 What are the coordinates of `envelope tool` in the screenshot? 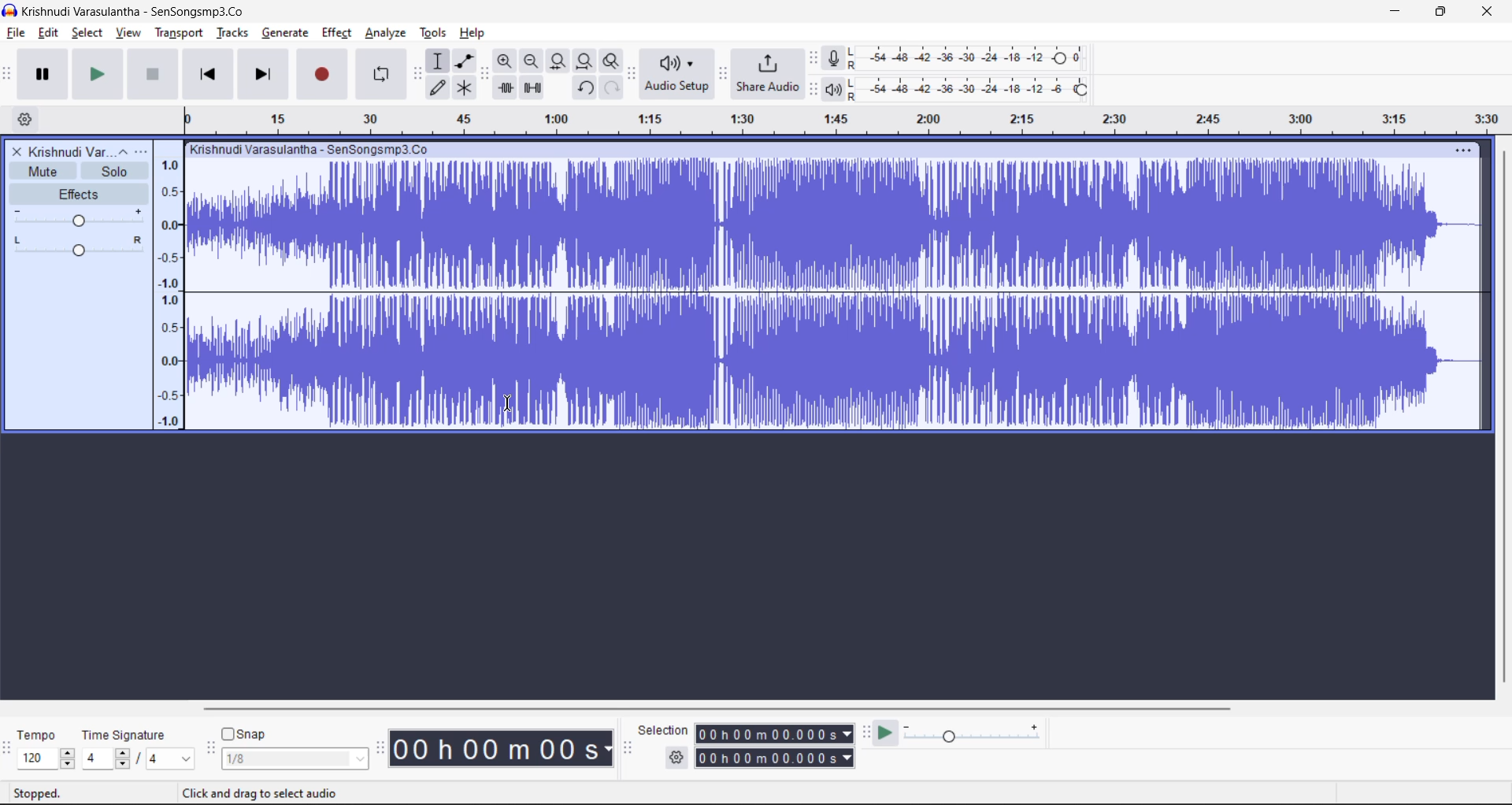 It's located at (468, 61).